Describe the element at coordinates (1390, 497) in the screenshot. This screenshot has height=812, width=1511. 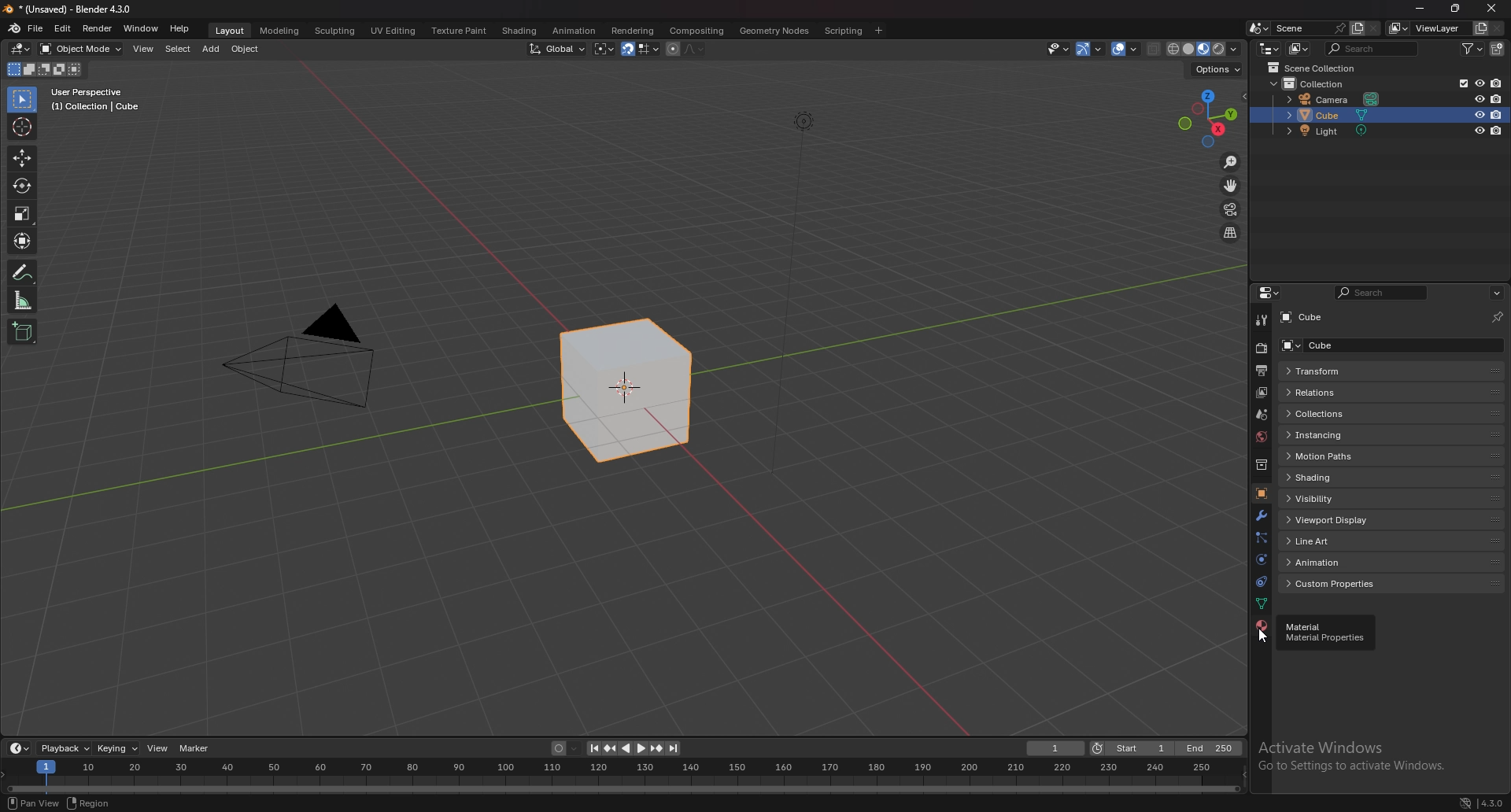
I see `visibility` at that location.